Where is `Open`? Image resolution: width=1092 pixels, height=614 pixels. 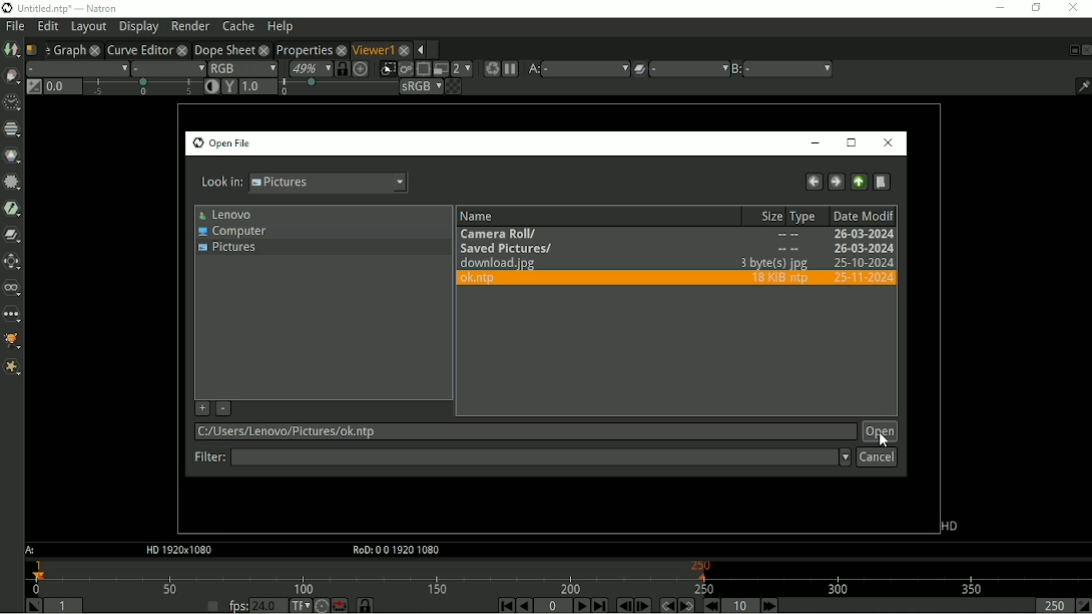
Open is located at coordinates (880, 431).